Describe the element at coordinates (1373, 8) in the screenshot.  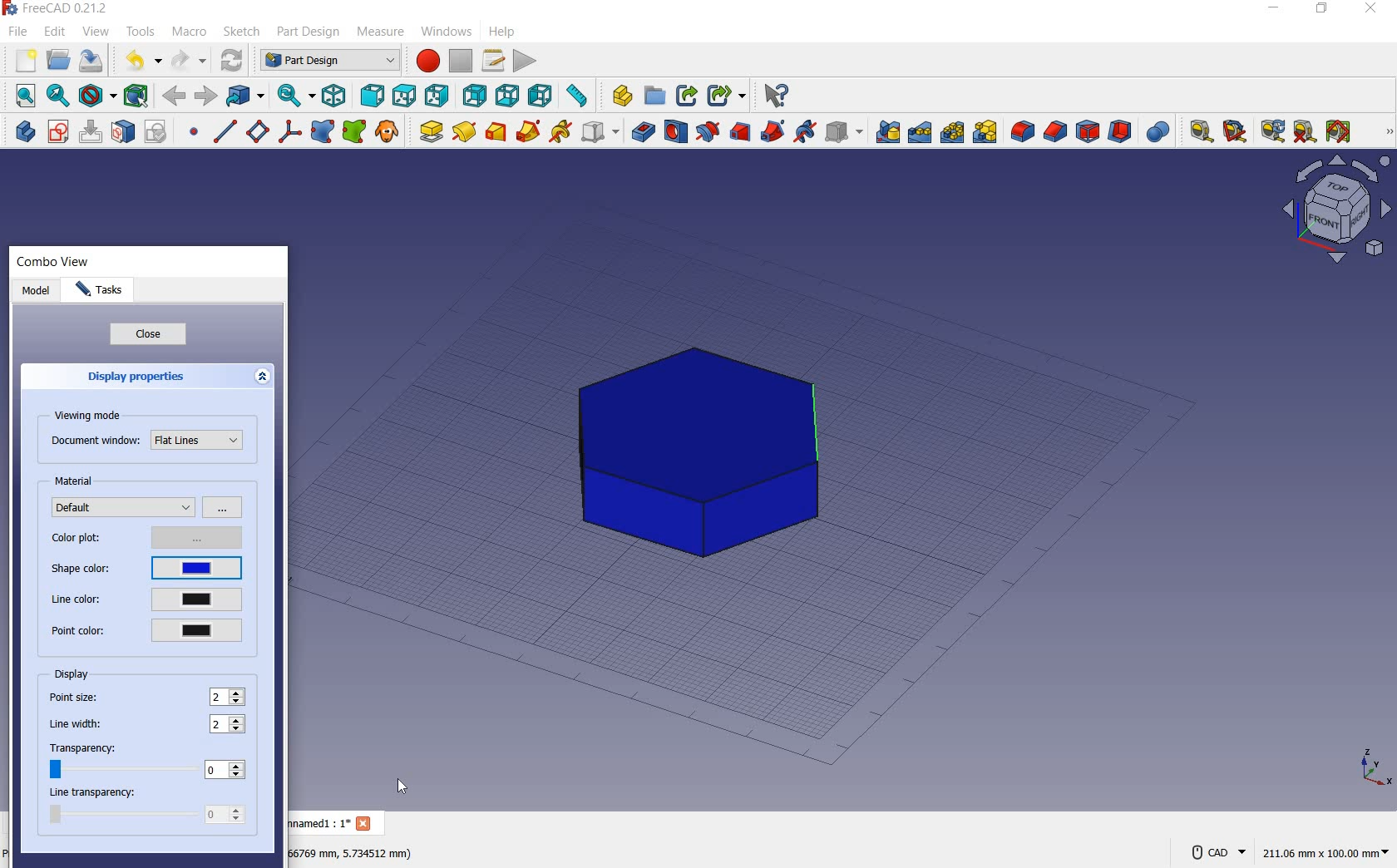
I see `CLOSE` at that location.